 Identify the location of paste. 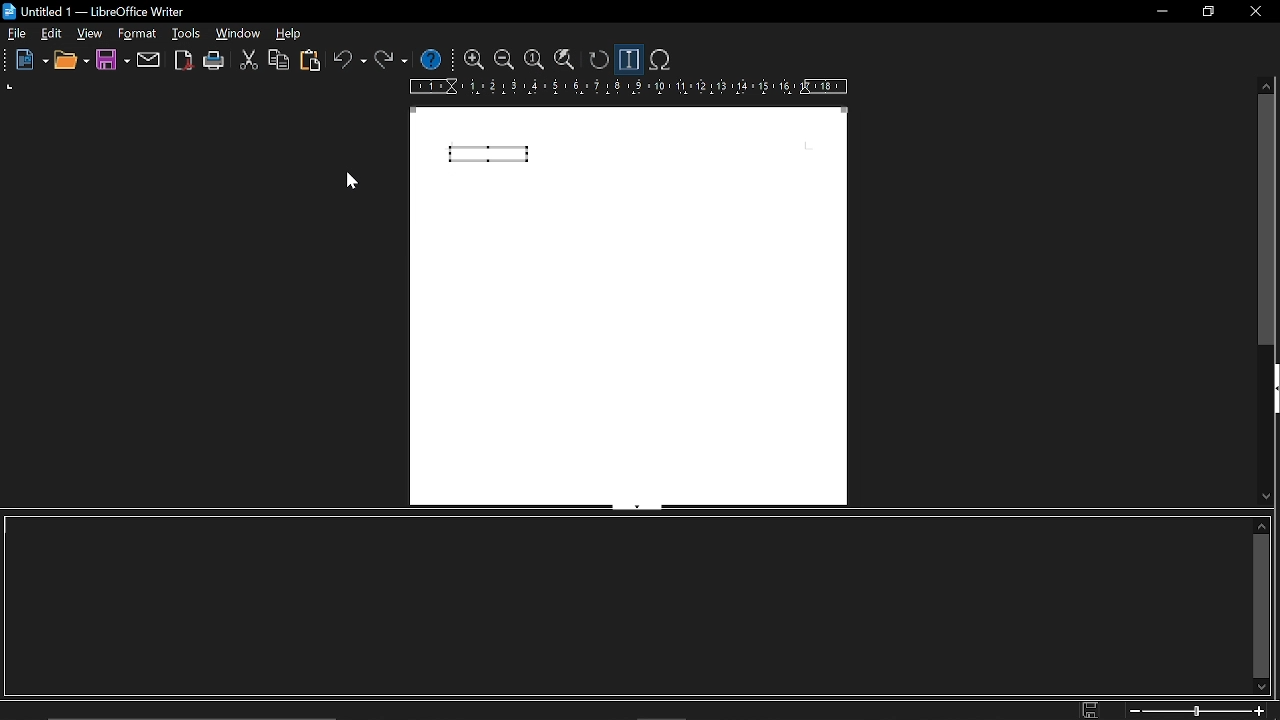
(314, 61).